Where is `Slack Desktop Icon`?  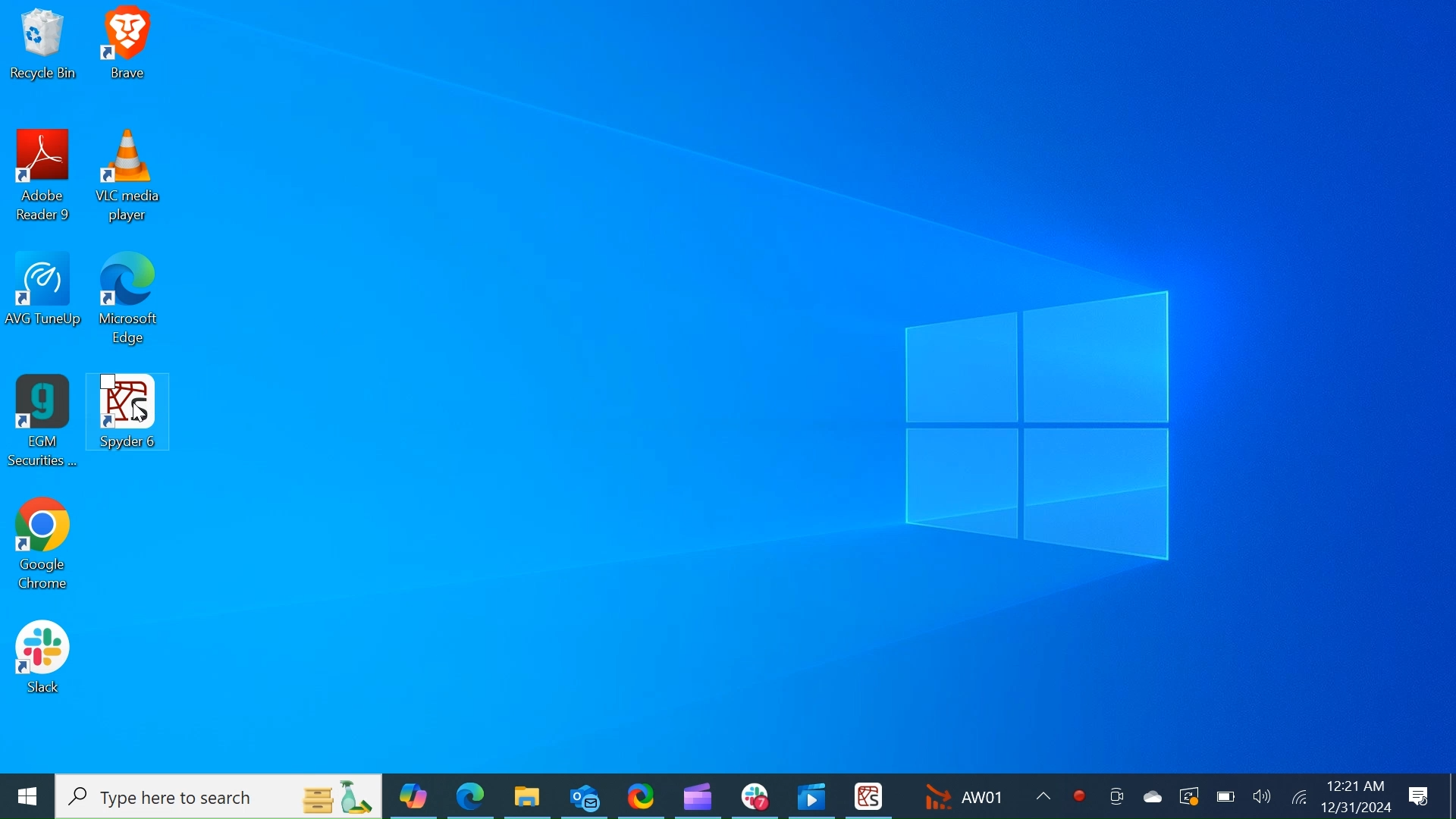 Slack Desktop Icon is located at coordinates (42, 659).